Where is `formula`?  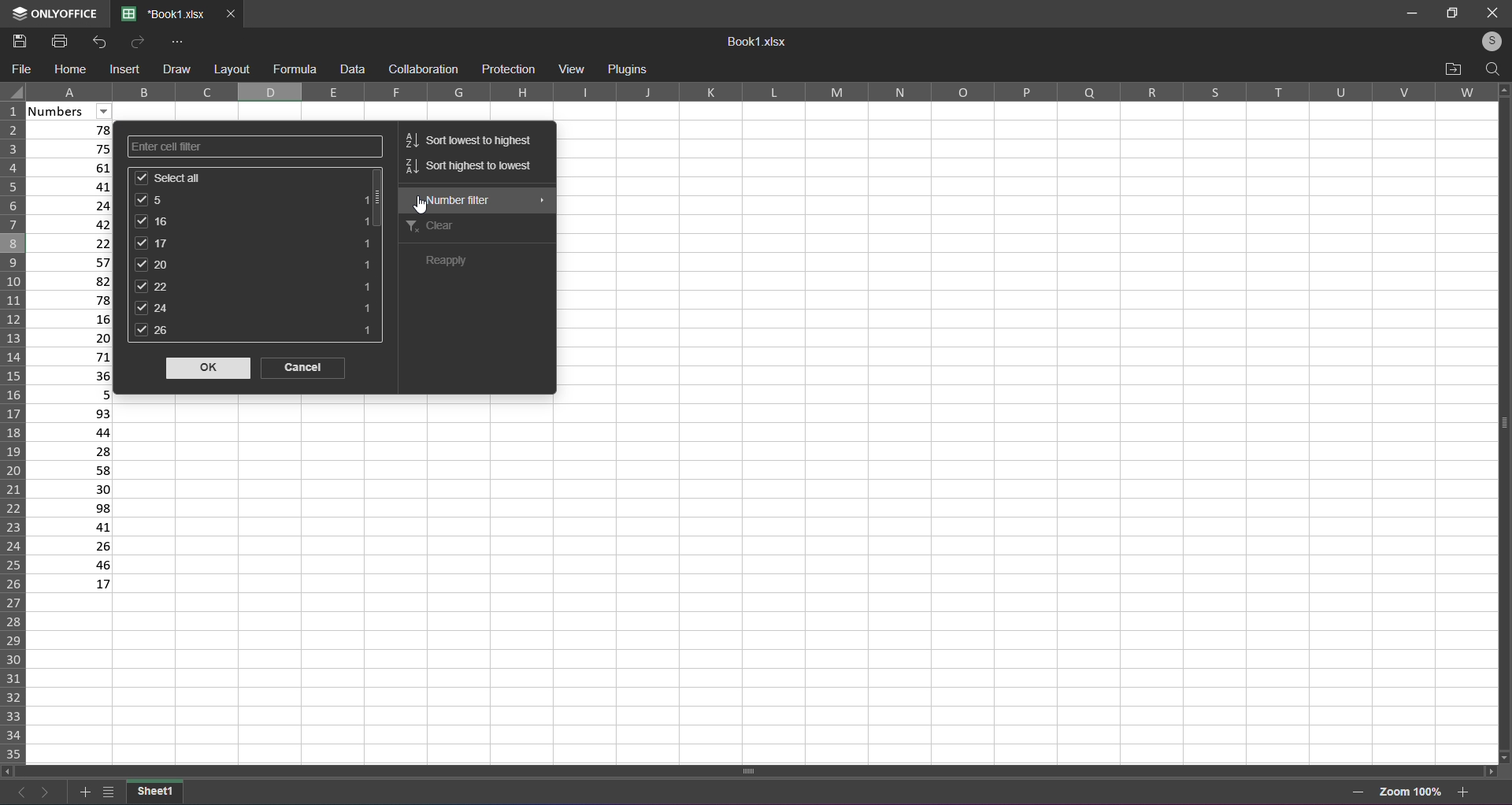
formula is located at coordinates (295, 67).